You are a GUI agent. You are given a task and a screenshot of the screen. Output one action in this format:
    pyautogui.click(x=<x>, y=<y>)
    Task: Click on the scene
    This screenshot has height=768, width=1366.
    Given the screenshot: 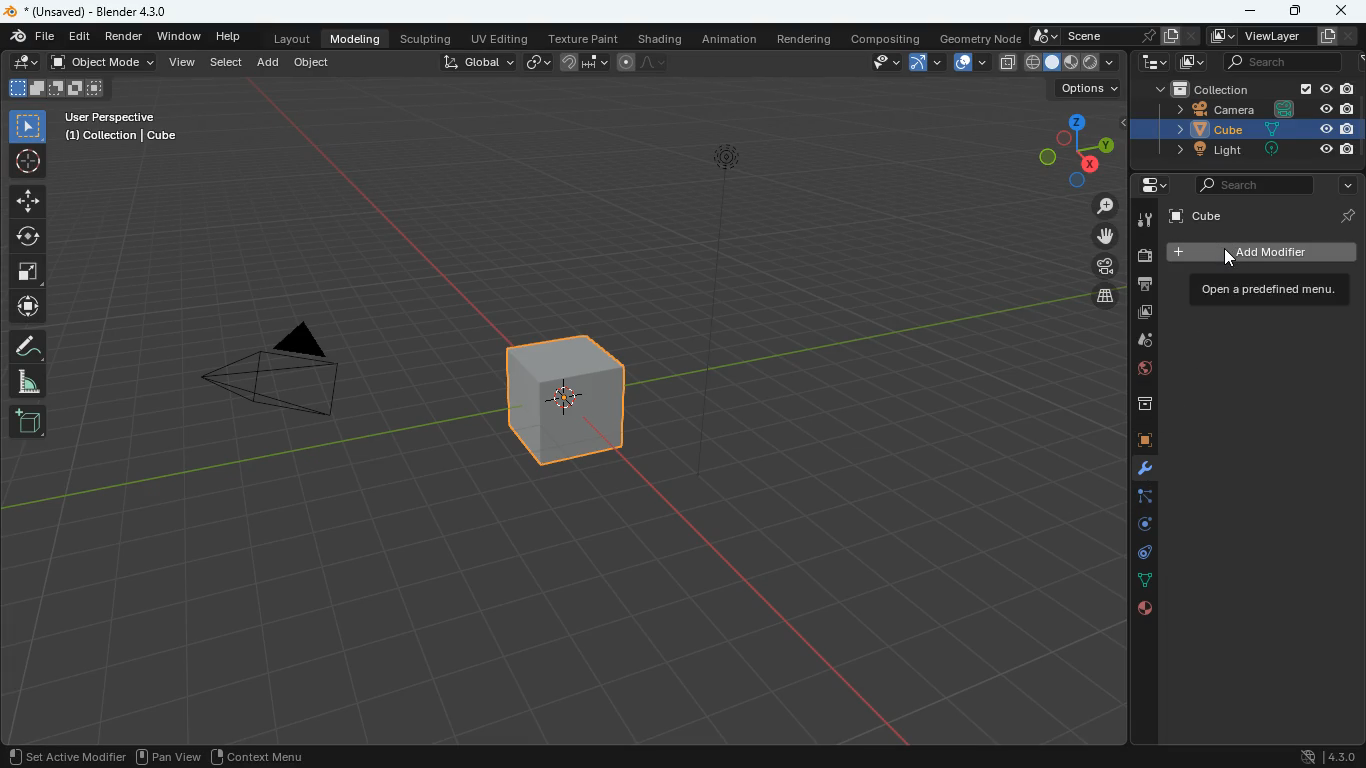 What is the action you would take?
    pyautogui.click(x=1115, y=36)
    